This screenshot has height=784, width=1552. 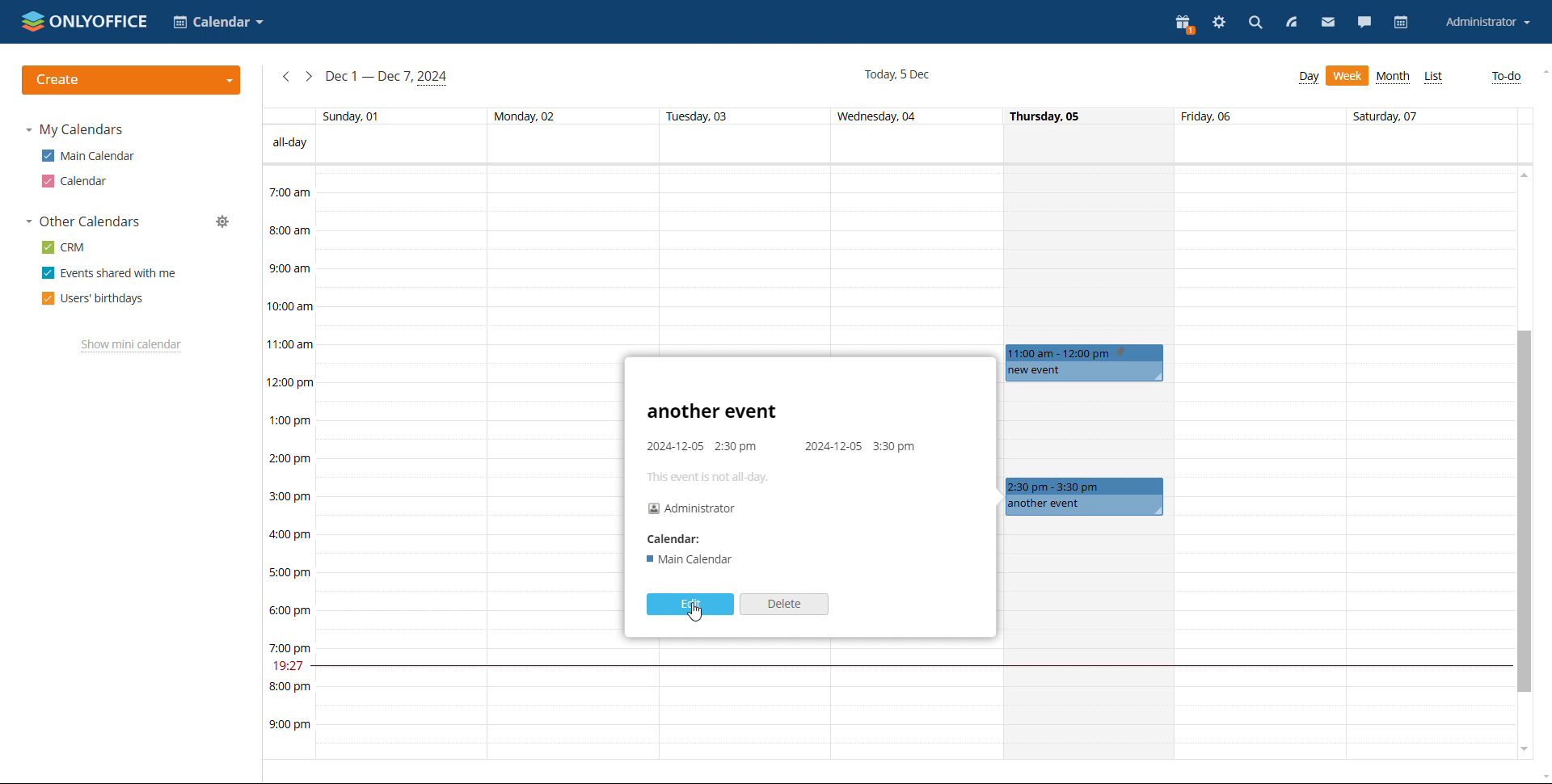 I want to click on Monday, 02, so click(x=542, y=116).